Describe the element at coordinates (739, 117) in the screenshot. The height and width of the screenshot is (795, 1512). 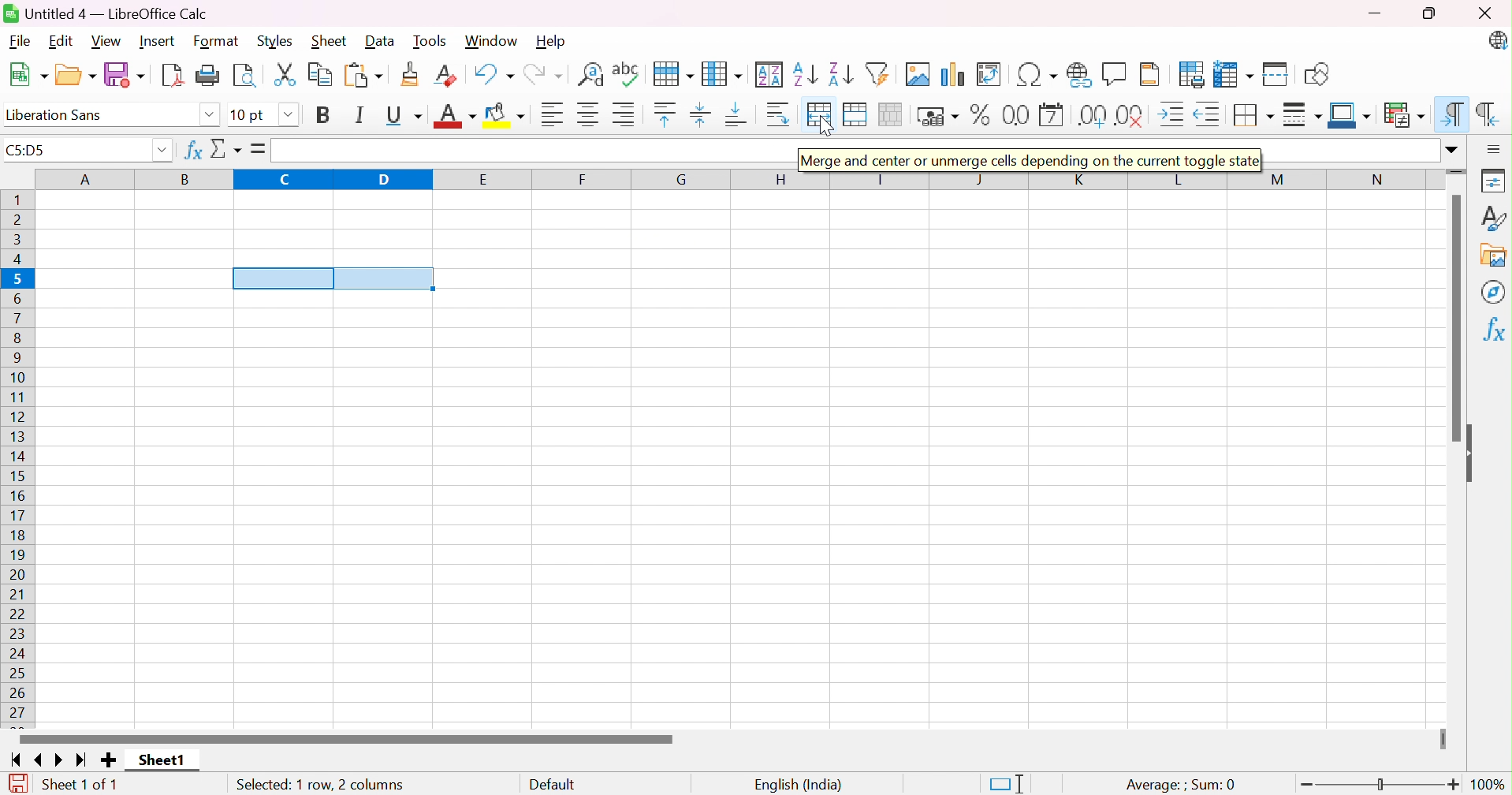
I see `Align Bottom` at that location.